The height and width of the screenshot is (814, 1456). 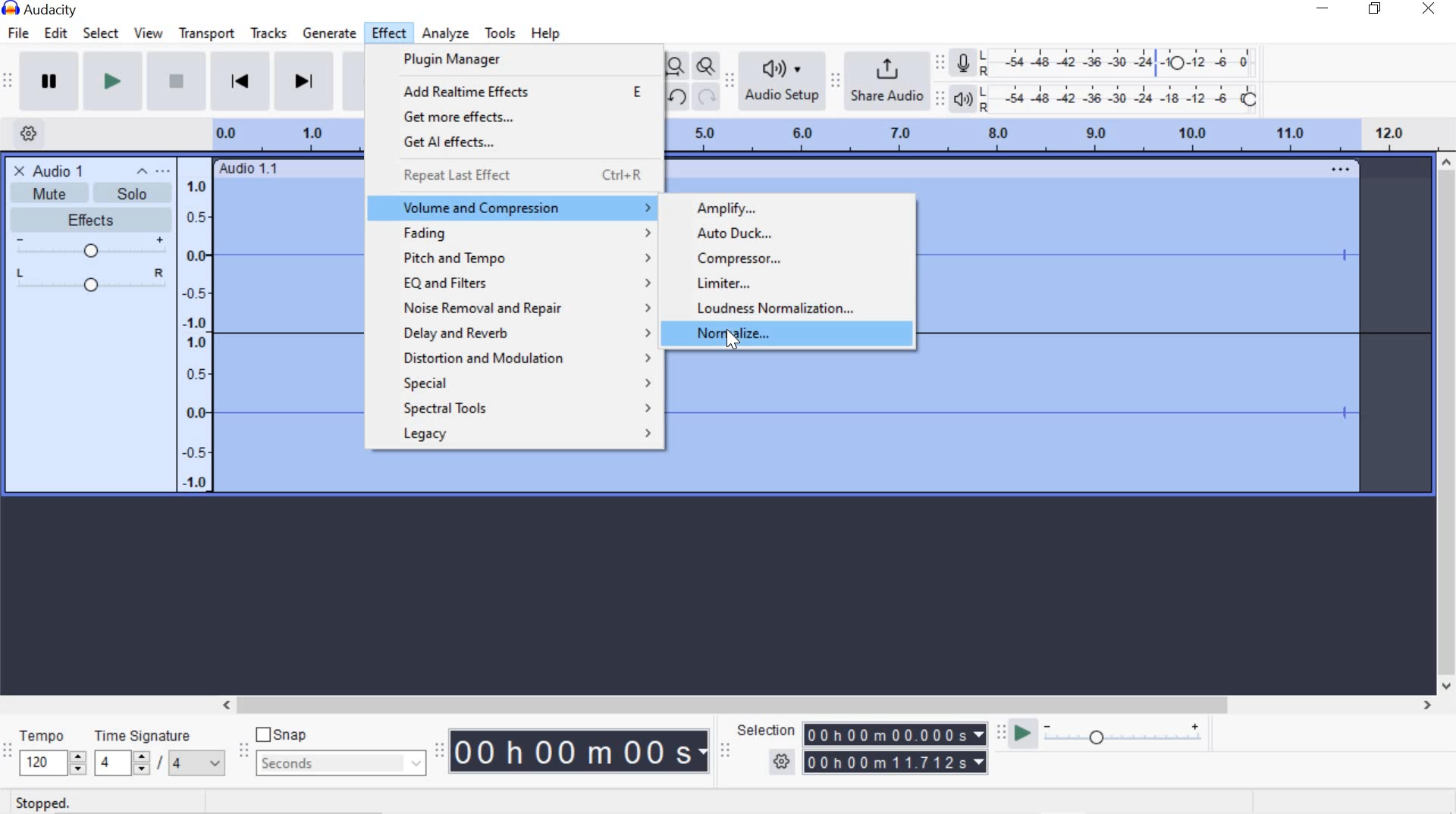 I want to click on Skip to start, so click(x=241, y=81).